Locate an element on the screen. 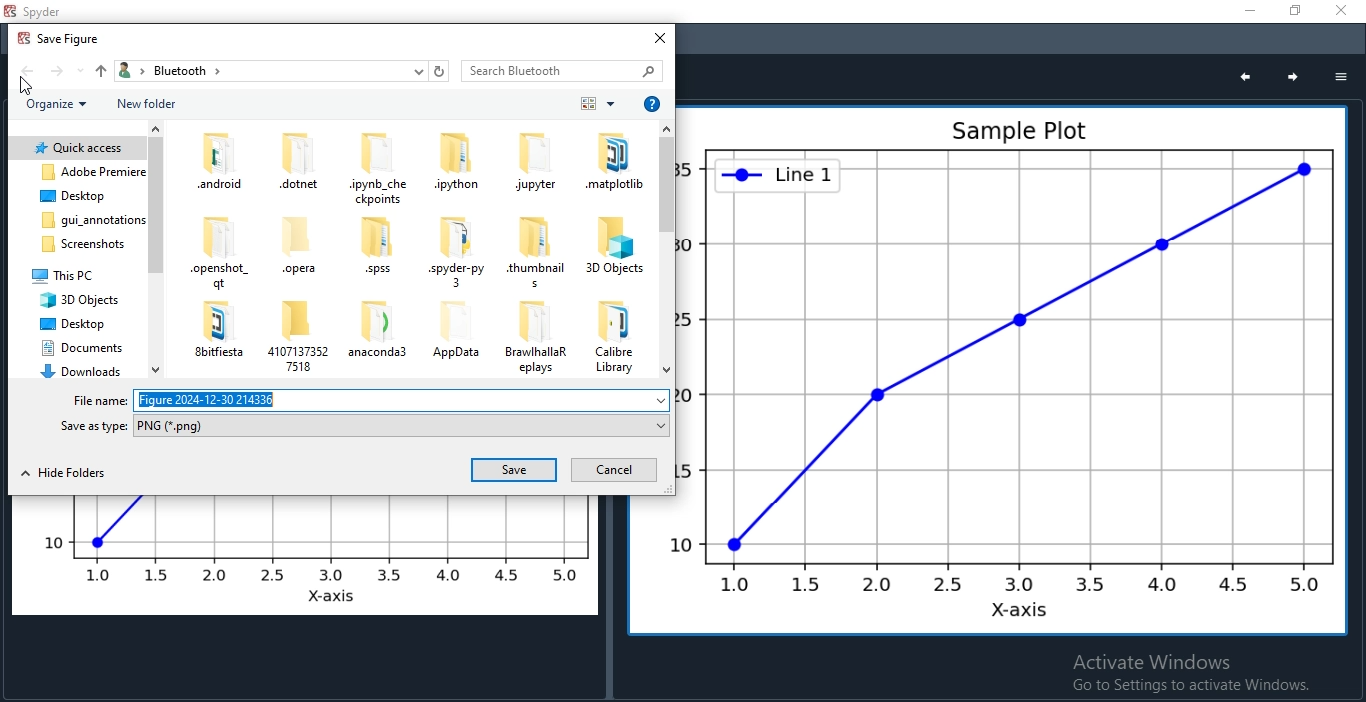 The width and height of the screenshot is (1366, 702). order is located at coordinates (597, 103).